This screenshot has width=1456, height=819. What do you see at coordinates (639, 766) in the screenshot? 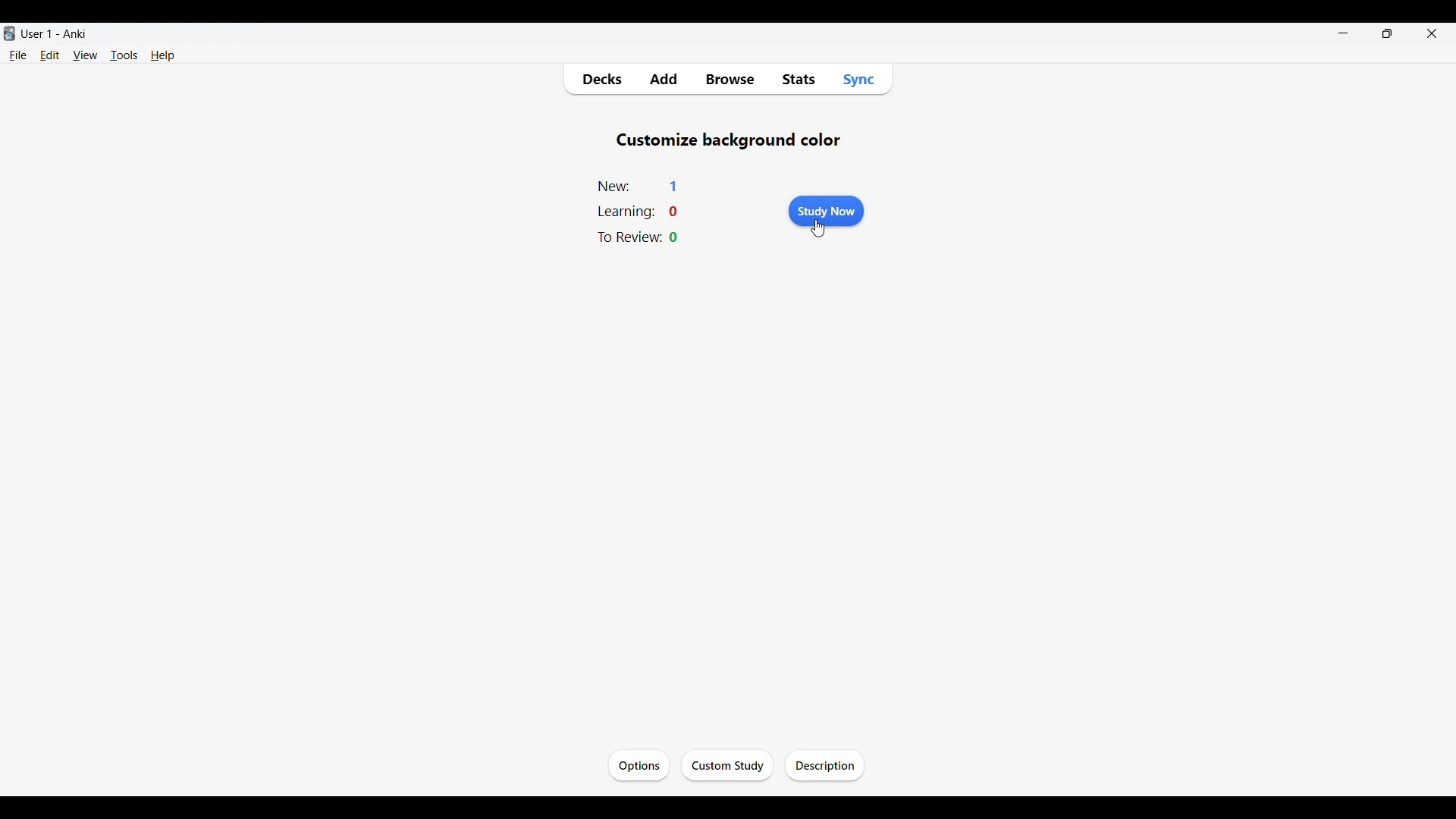
I see `Options` at bounding box center [639, 766].